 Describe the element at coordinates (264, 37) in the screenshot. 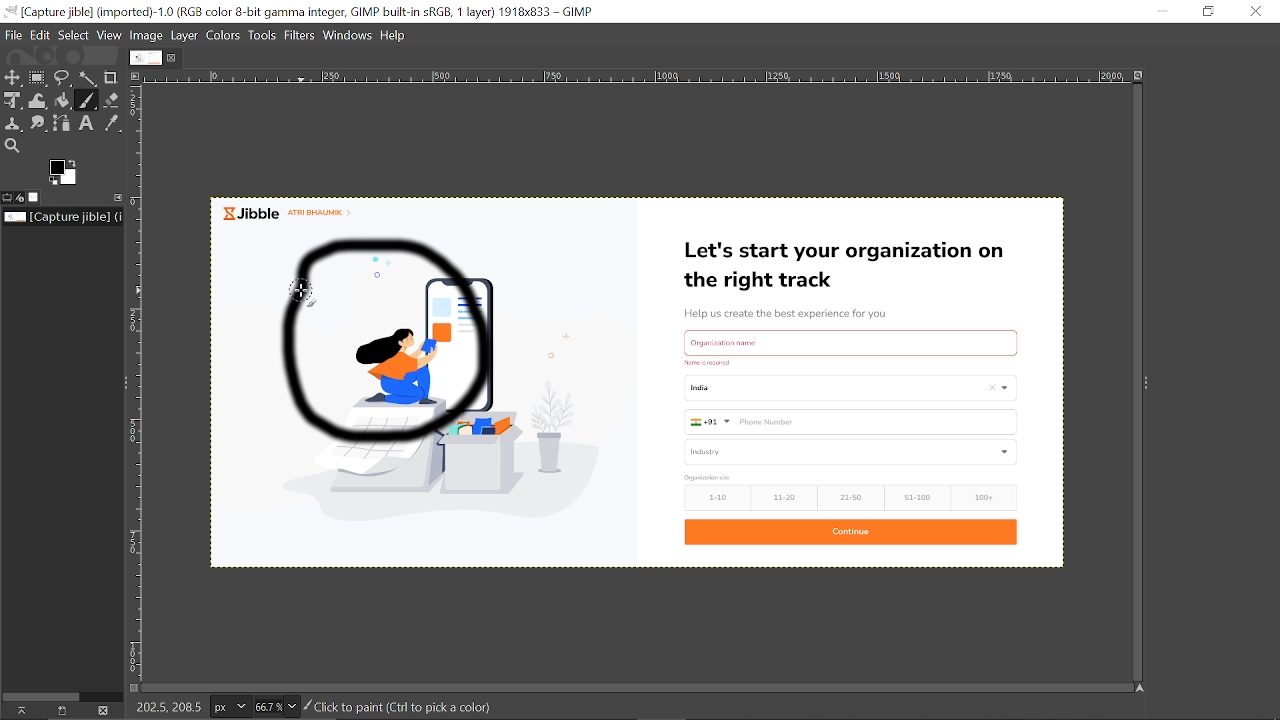

I see `Tools` at that location.